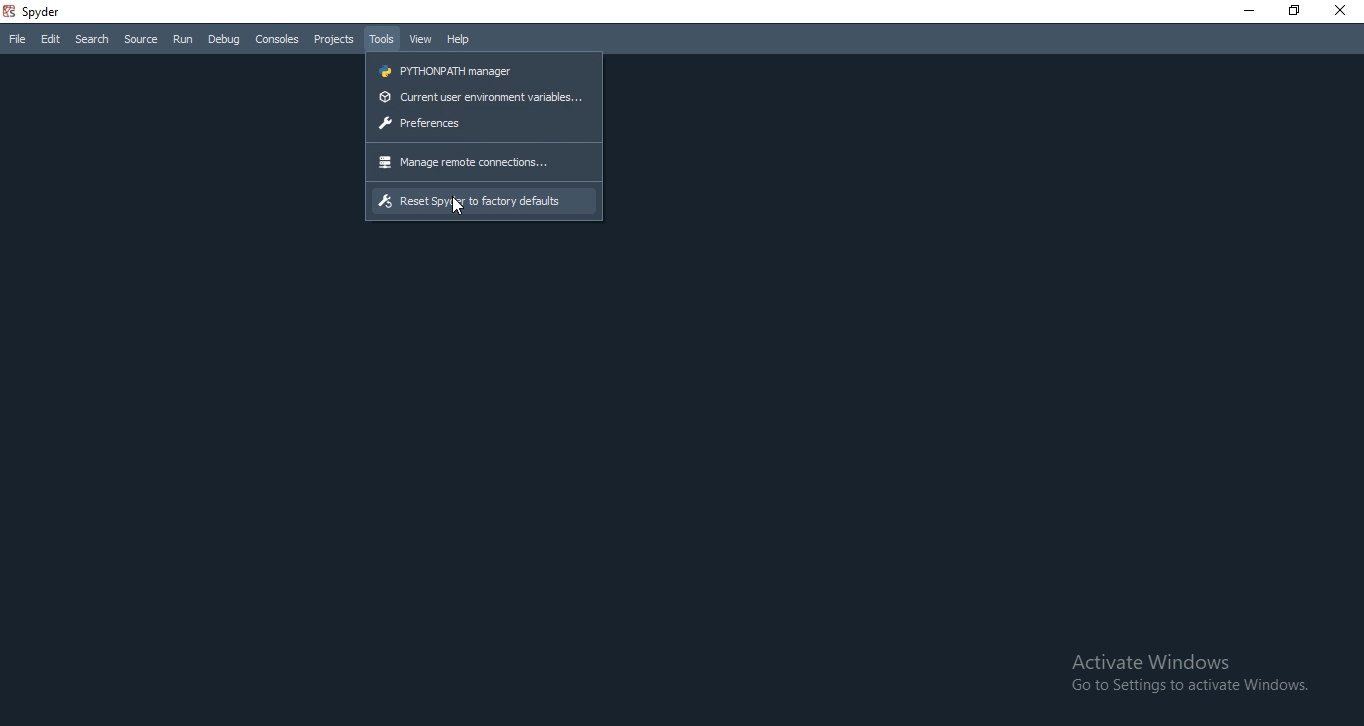  I want to click on reset spyder, so click(485, 201).